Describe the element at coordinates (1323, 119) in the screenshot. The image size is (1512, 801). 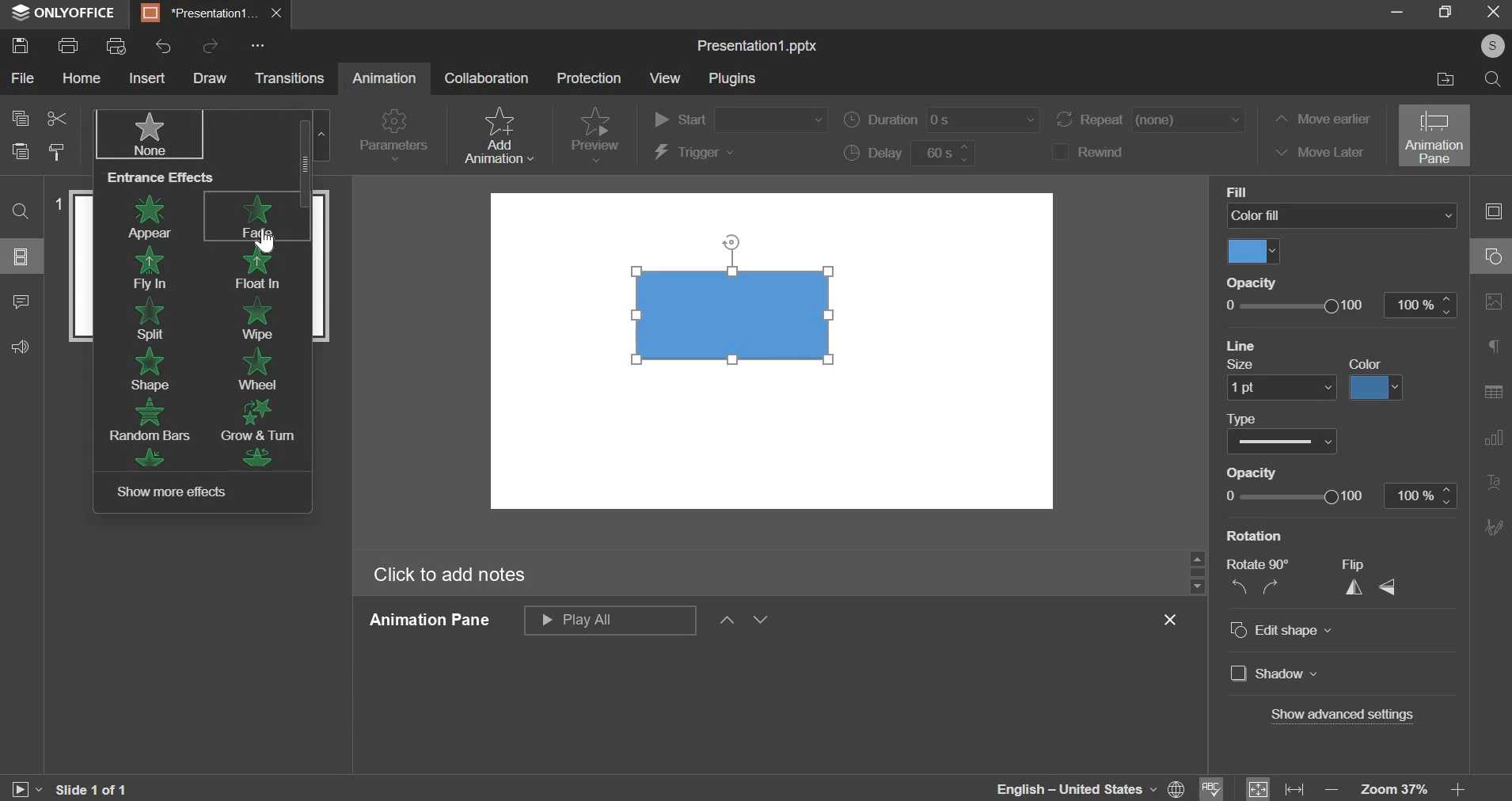
I see `move earlier` at that location.